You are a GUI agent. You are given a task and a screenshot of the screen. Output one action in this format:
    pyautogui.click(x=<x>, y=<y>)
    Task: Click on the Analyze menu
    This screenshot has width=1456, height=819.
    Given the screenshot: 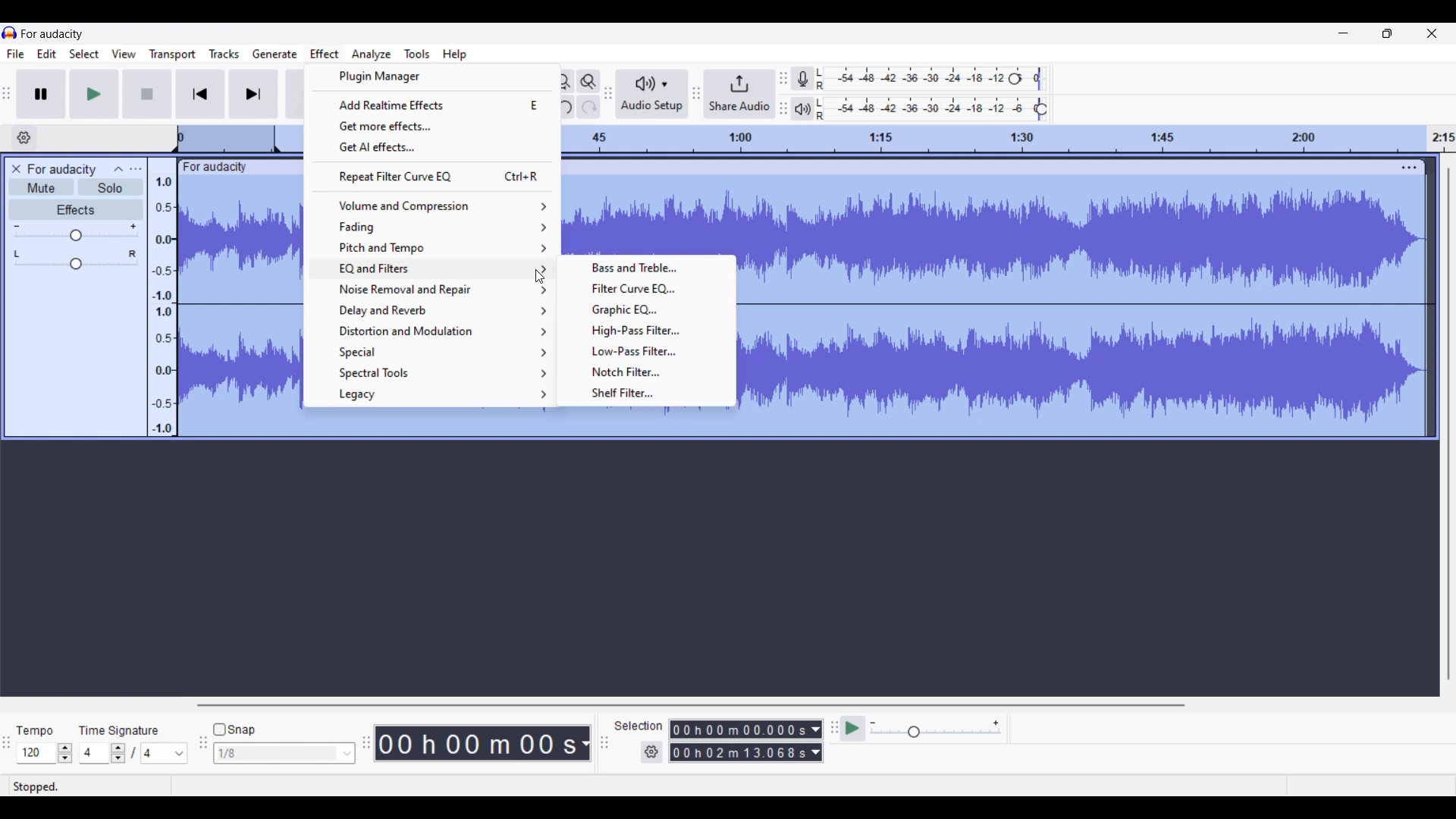 What is the action you would take?
    pyautogui.click(x=371, y=55)
    